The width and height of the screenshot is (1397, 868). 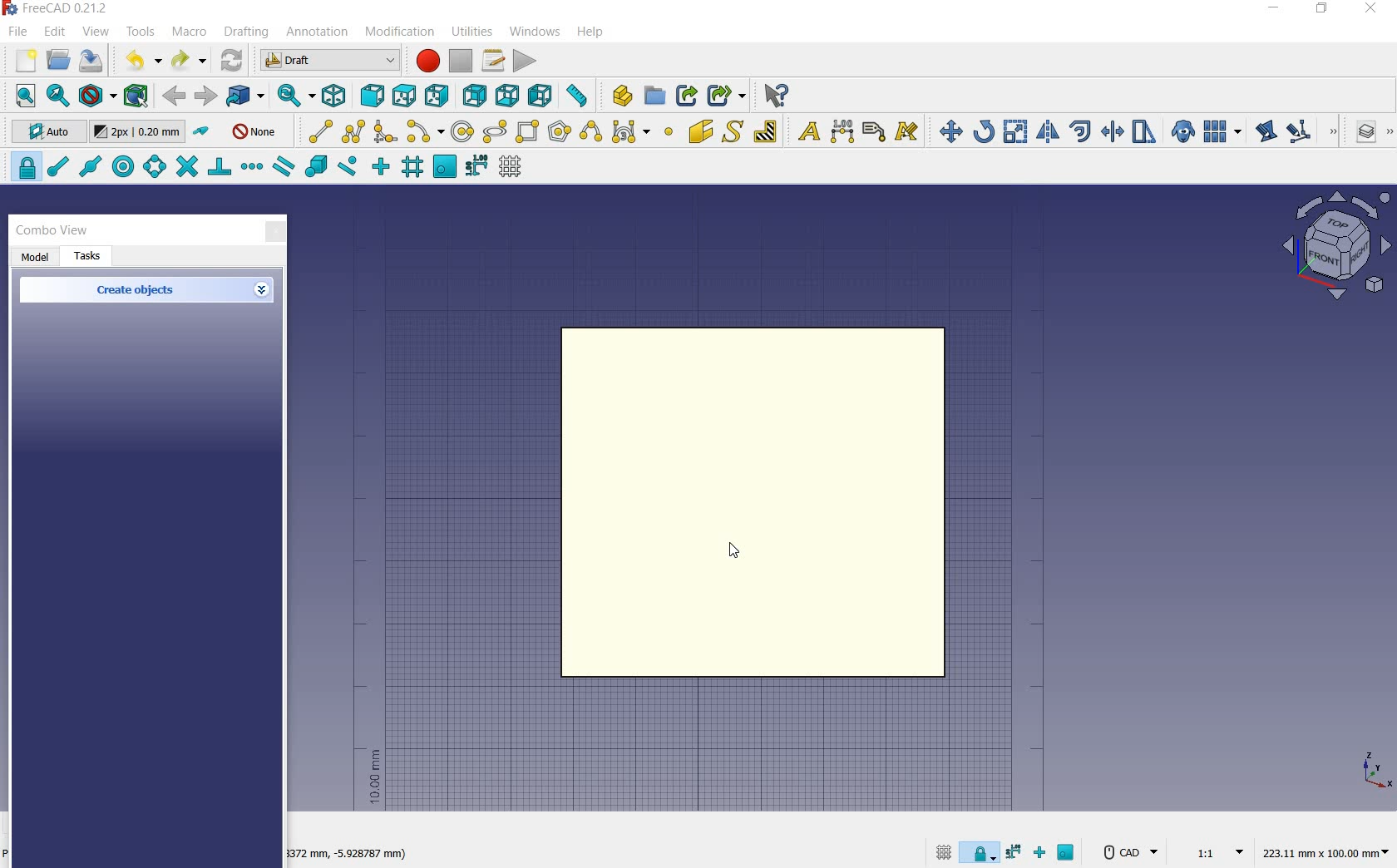 What do you see at coordinates (494, 132) in the screenshot?
I see `ellipse` at bounding box center [494, 132].